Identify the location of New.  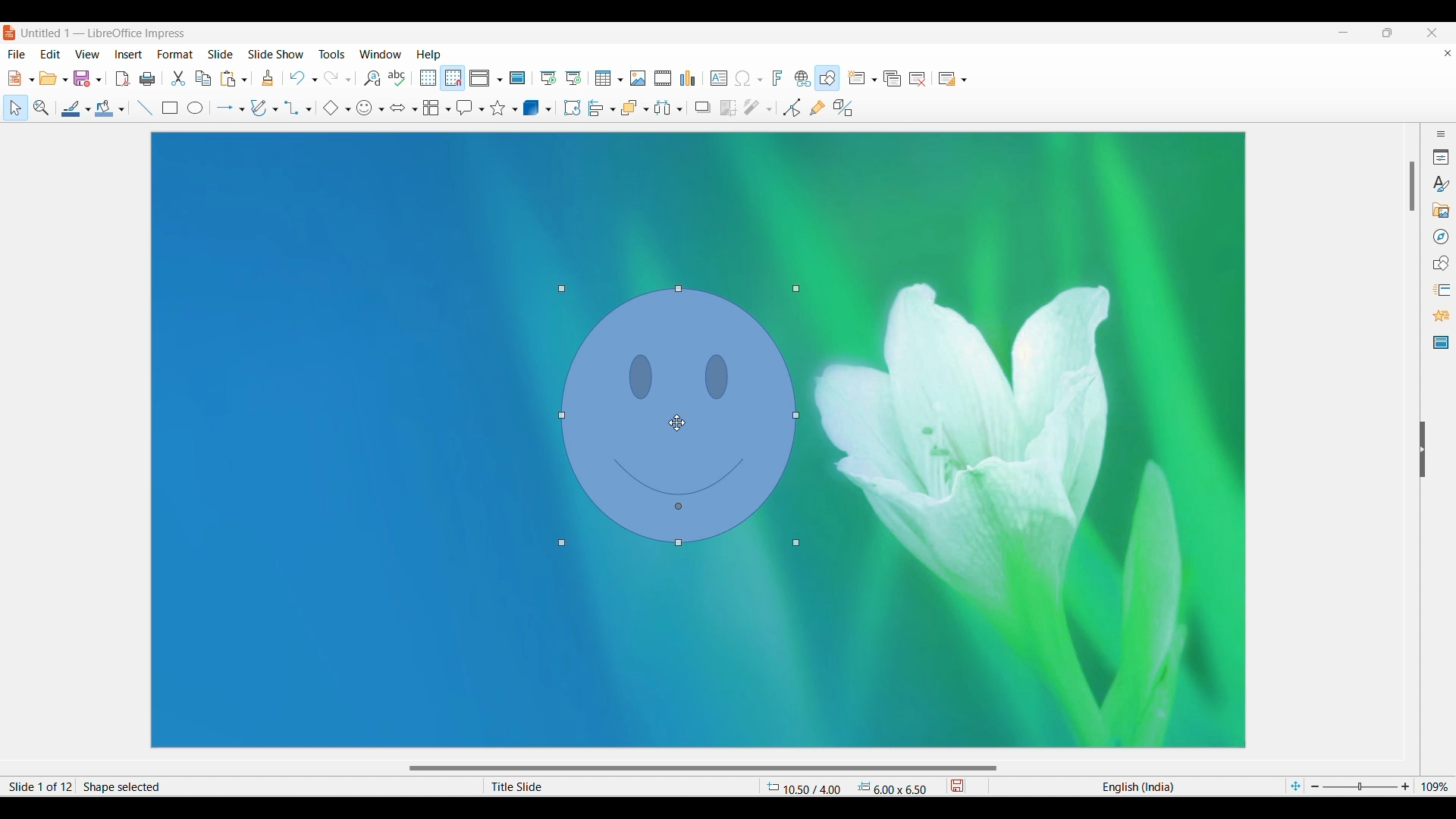
(14, 78).